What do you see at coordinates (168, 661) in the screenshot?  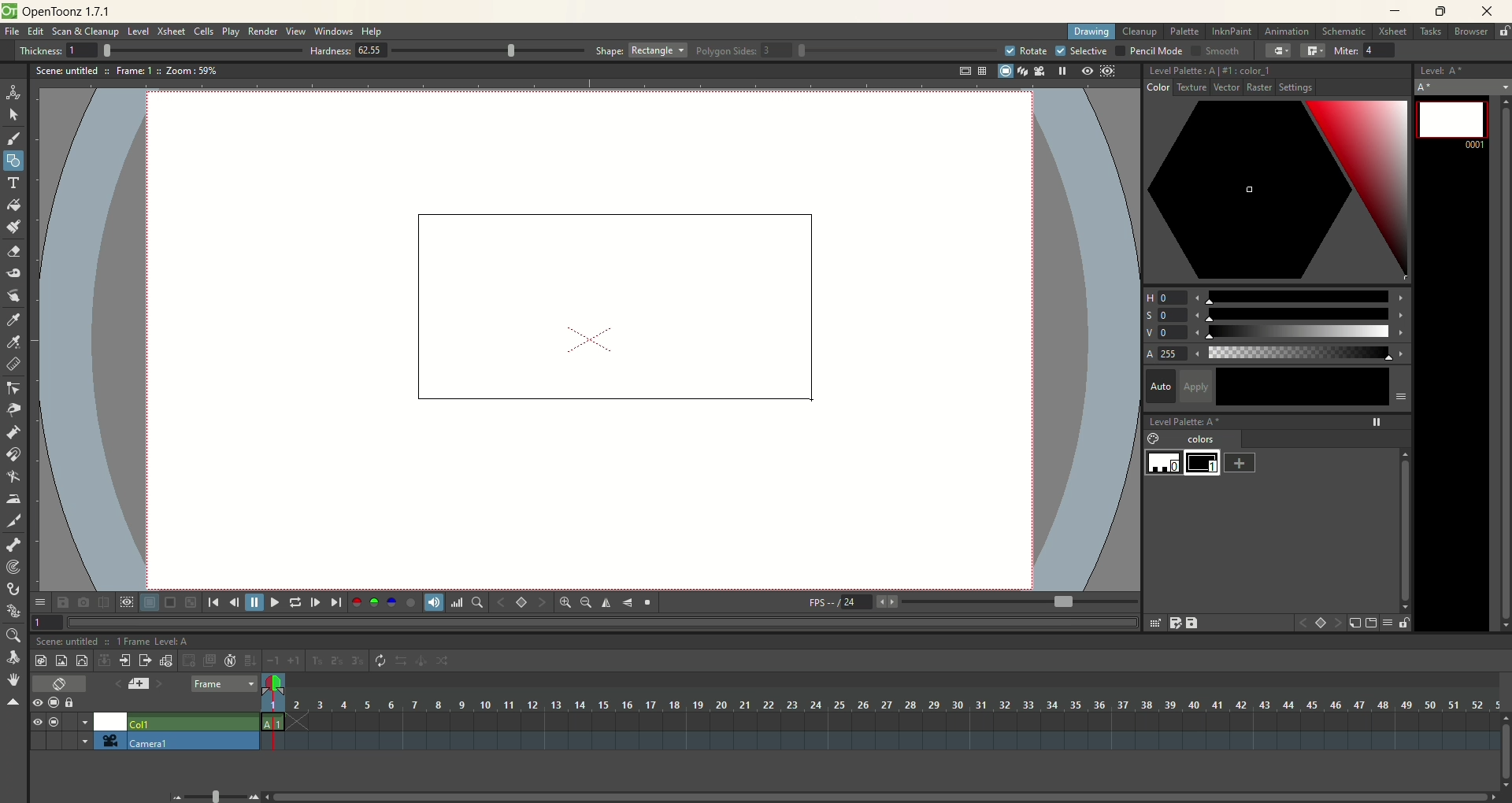 I see `toggle edit in place` at bounding box center [168, 661].